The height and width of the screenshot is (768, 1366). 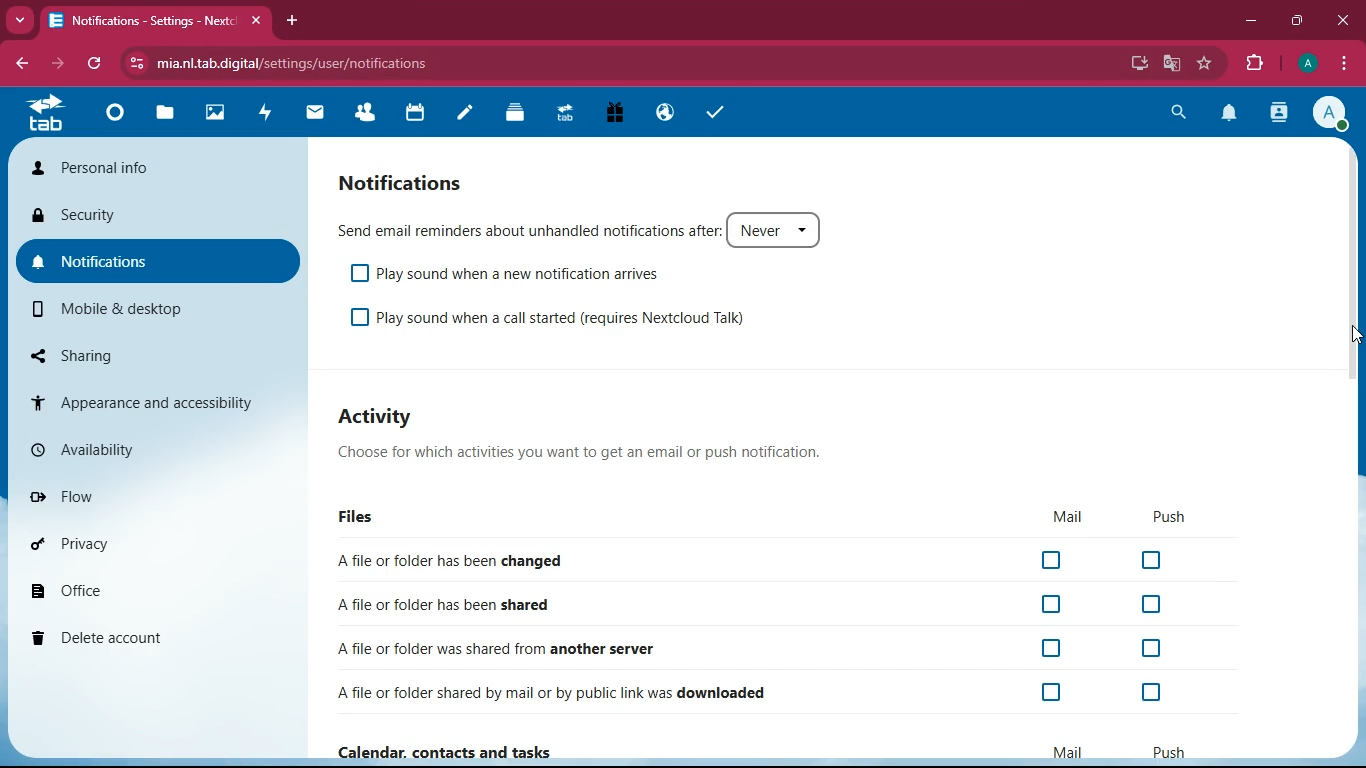 What do you see at coordinates (1280, 114) in the screenshot?
I see `activity` at bounding box center [1280, 114].